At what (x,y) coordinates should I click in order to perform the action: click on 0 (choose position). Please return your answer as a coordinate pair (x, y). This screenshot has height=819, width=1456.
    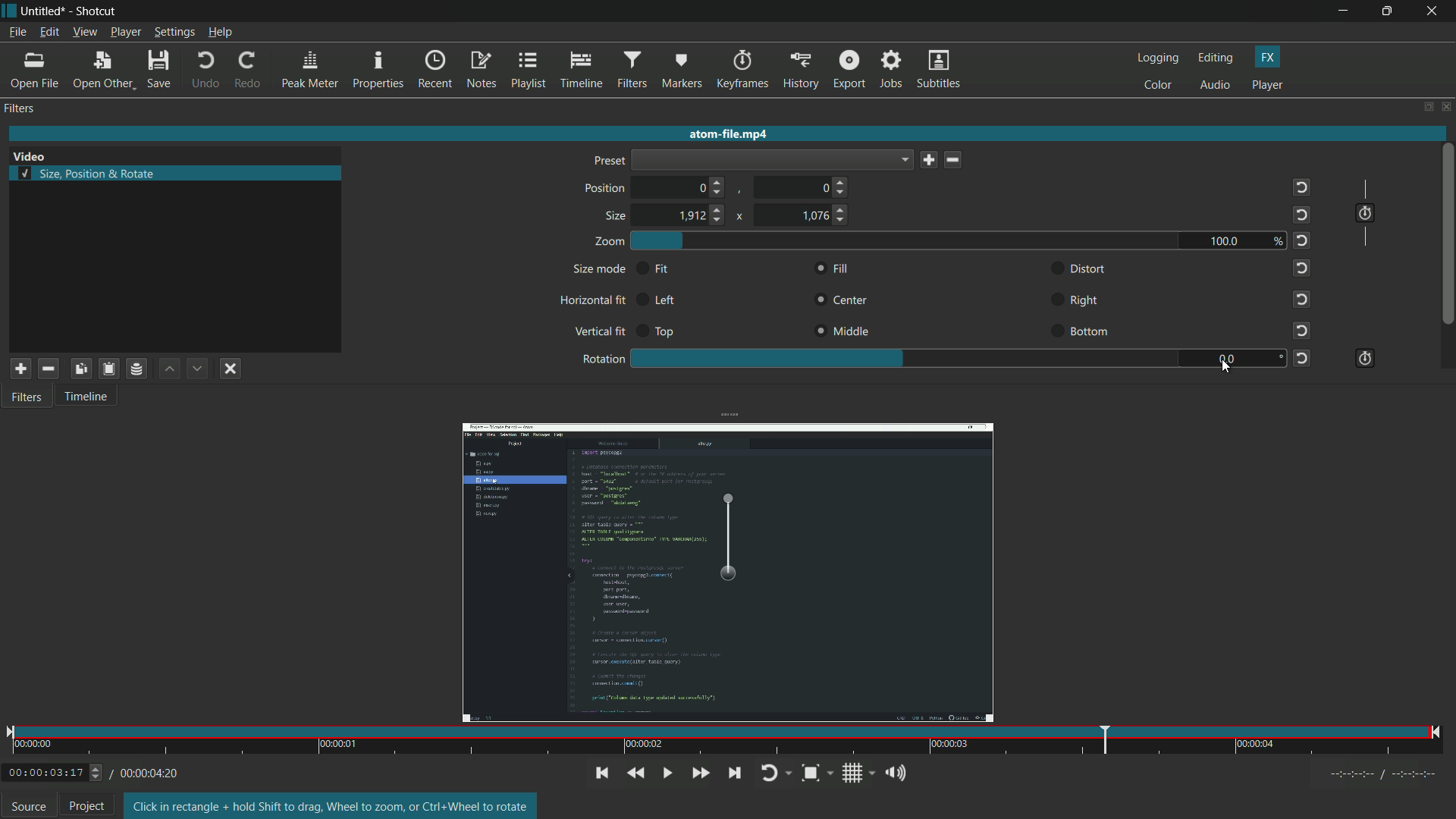
    Looking at the image, I should click on (709, 187).